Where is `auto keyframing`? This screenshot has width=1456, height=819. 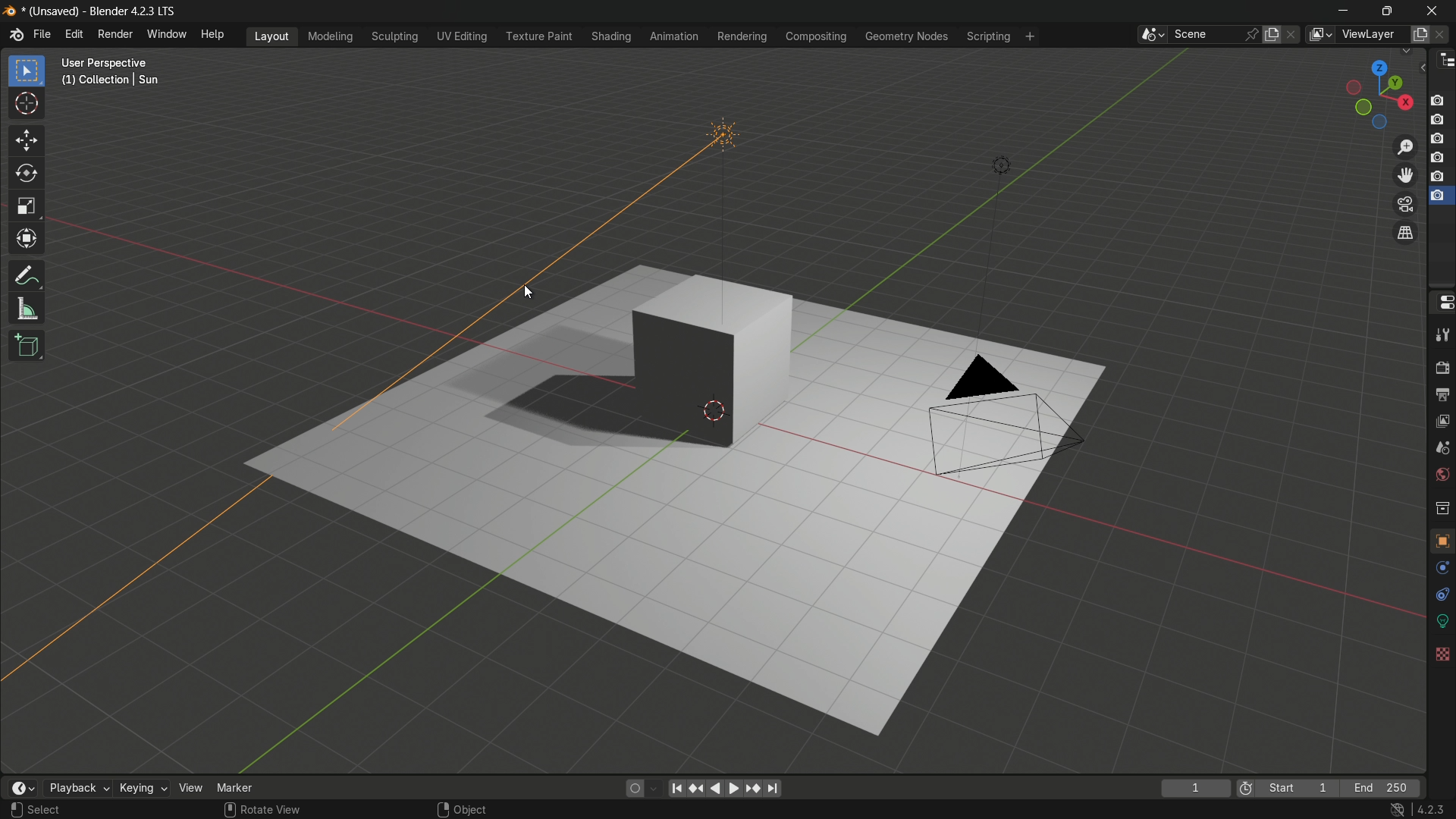
auto keyframing is located at coordinates (654, 789).